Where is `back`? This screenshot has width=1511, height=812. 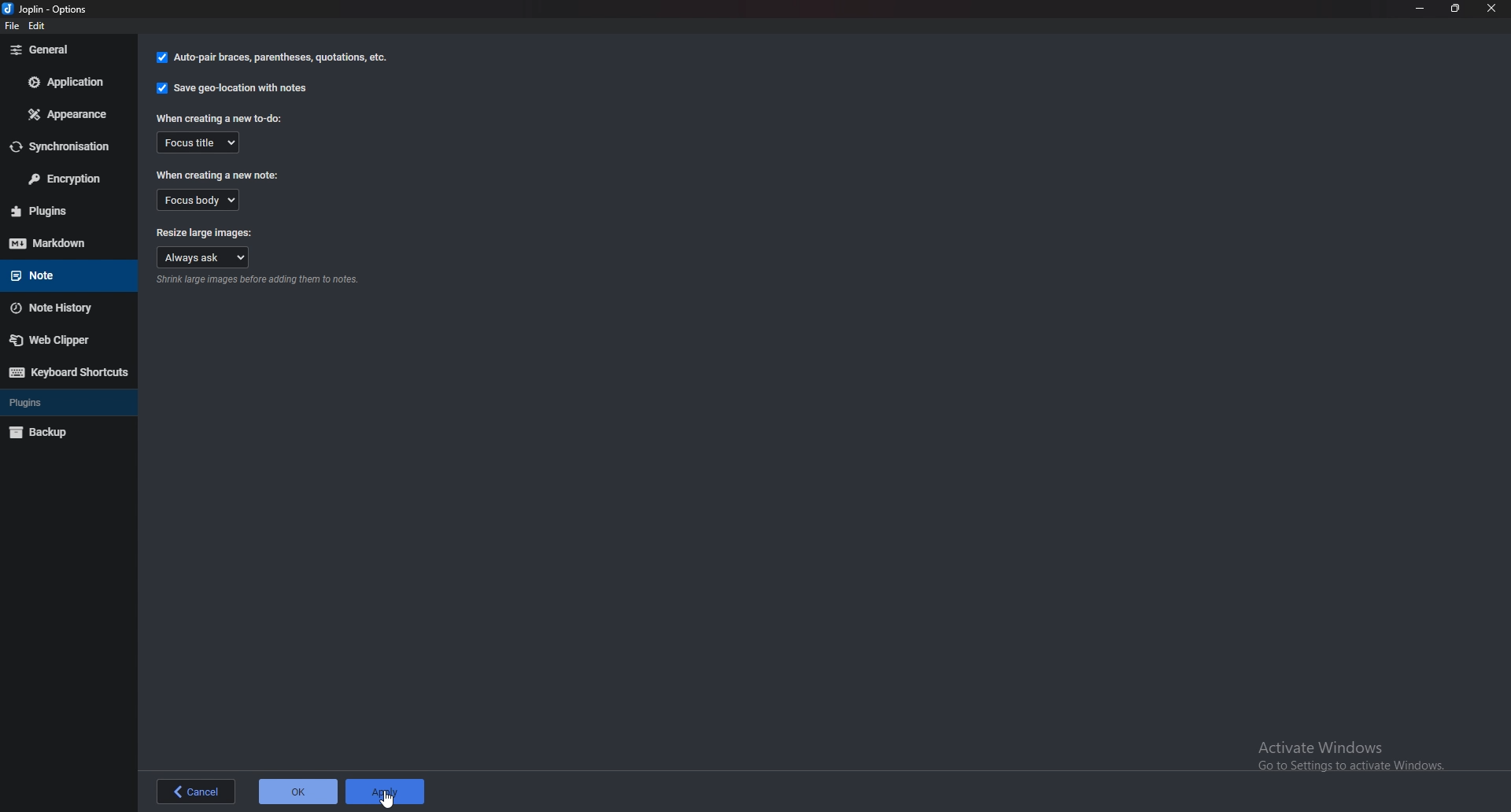 back is located at coordinates (194, 792).